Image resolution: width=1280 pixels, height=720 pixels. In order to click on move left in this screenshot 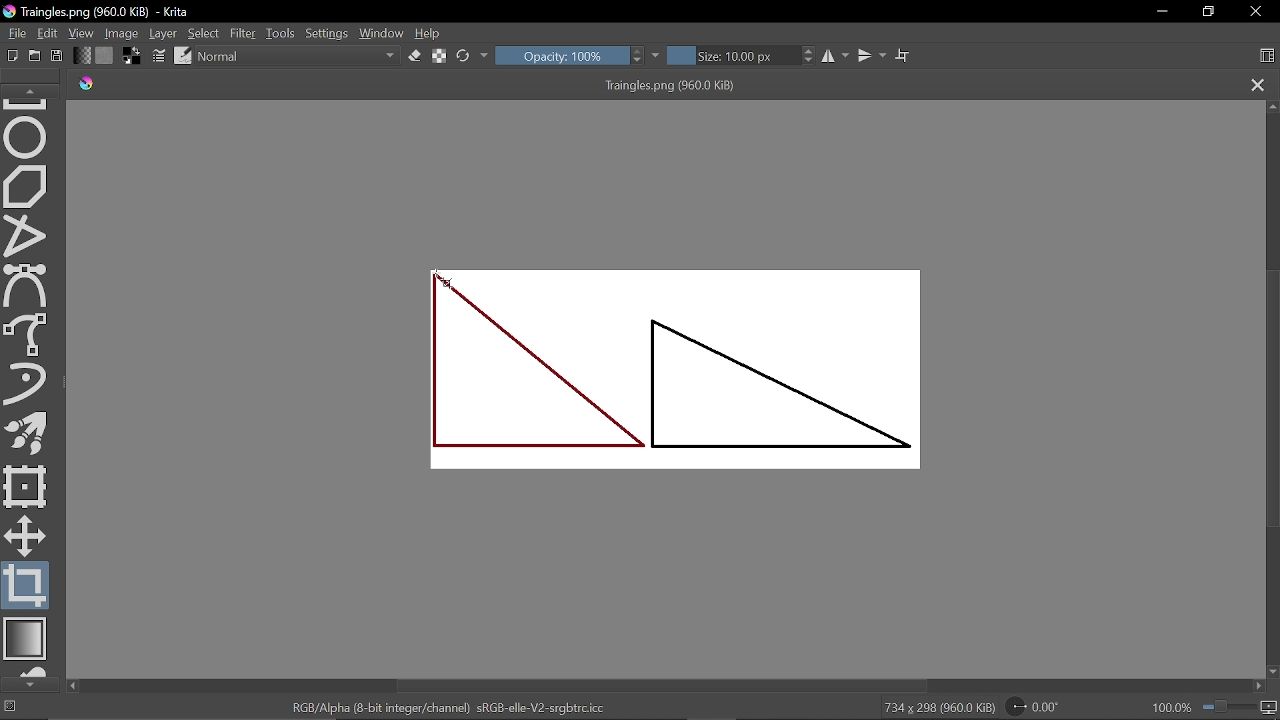, I will do `click(72, 686)`.